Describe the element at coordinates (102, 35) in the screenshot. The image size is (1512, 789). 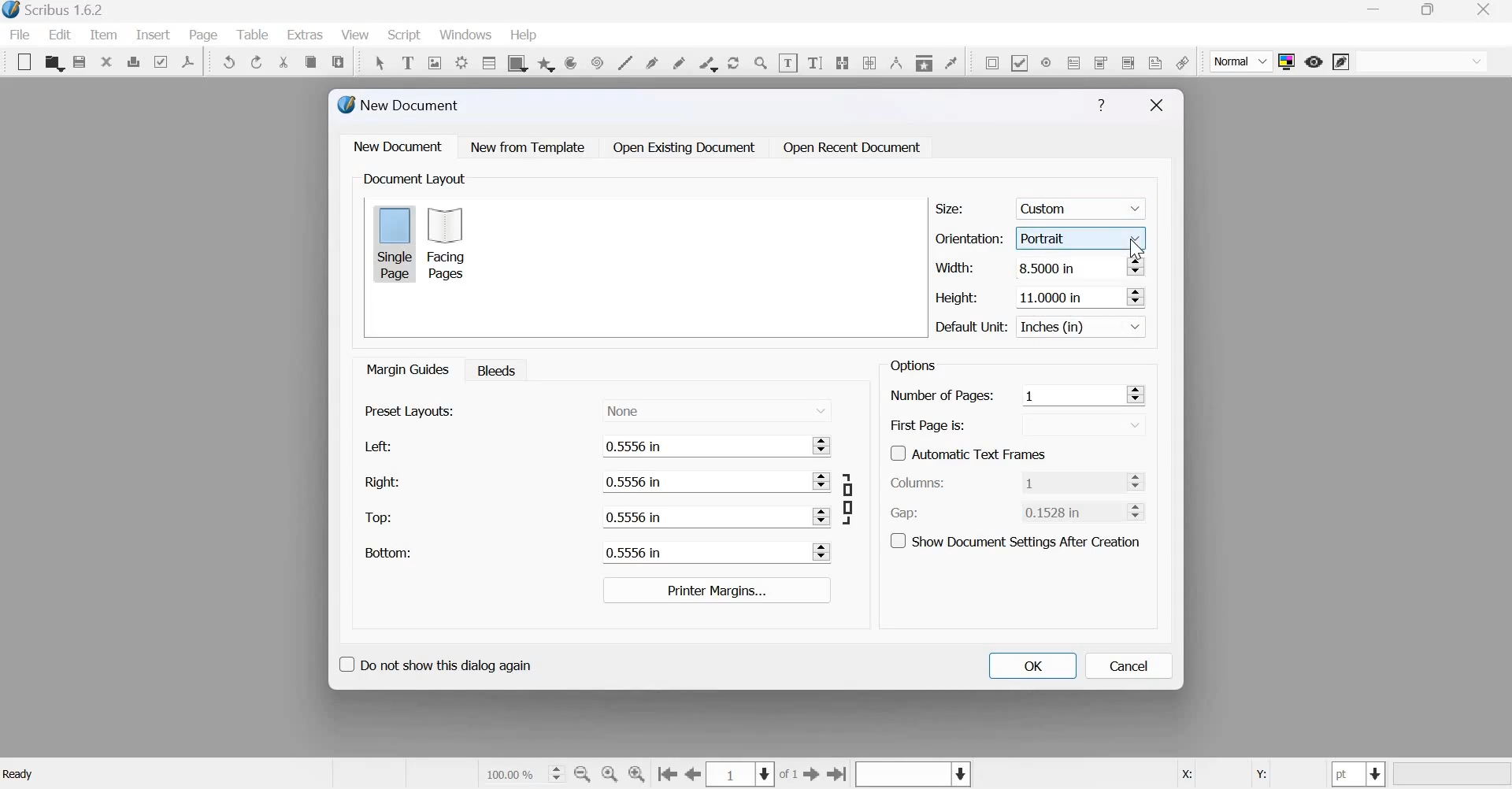
I see `item` at that location.